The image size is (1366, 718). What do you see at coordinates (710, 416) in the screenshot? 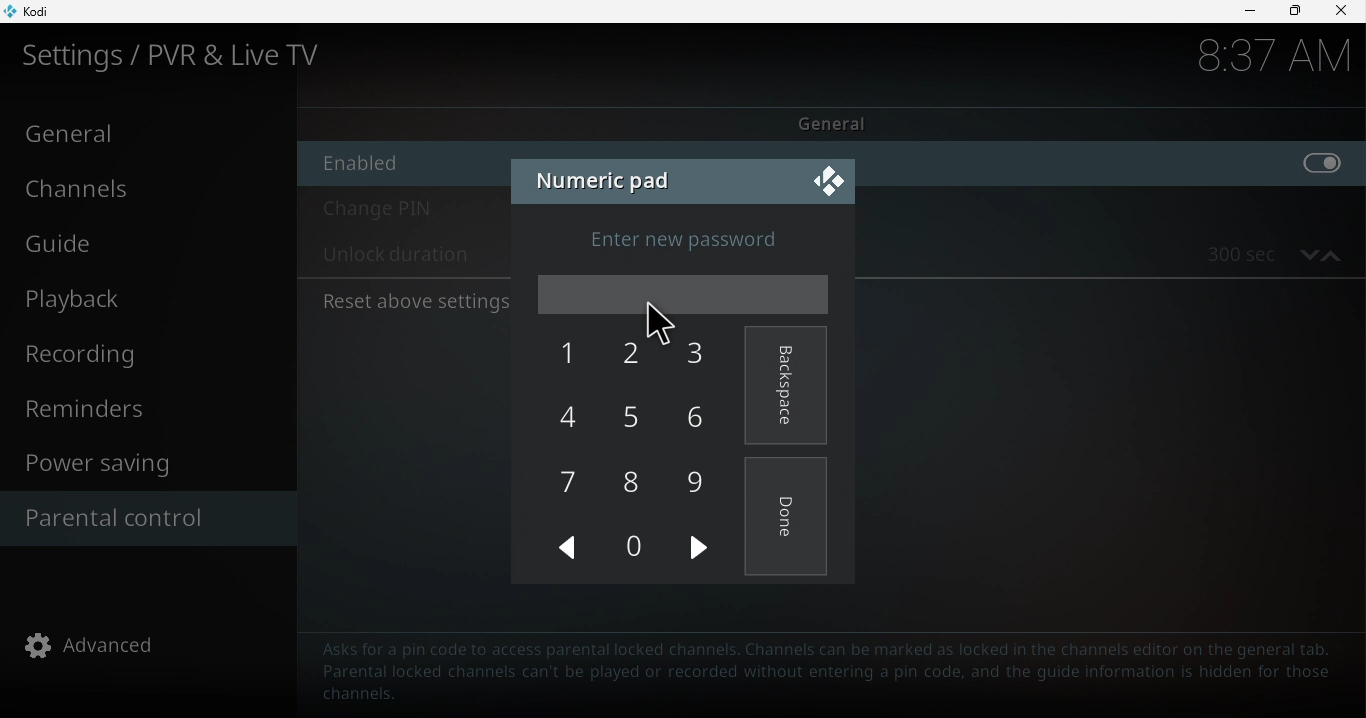
I see `6` at bounding box center [710, 416].